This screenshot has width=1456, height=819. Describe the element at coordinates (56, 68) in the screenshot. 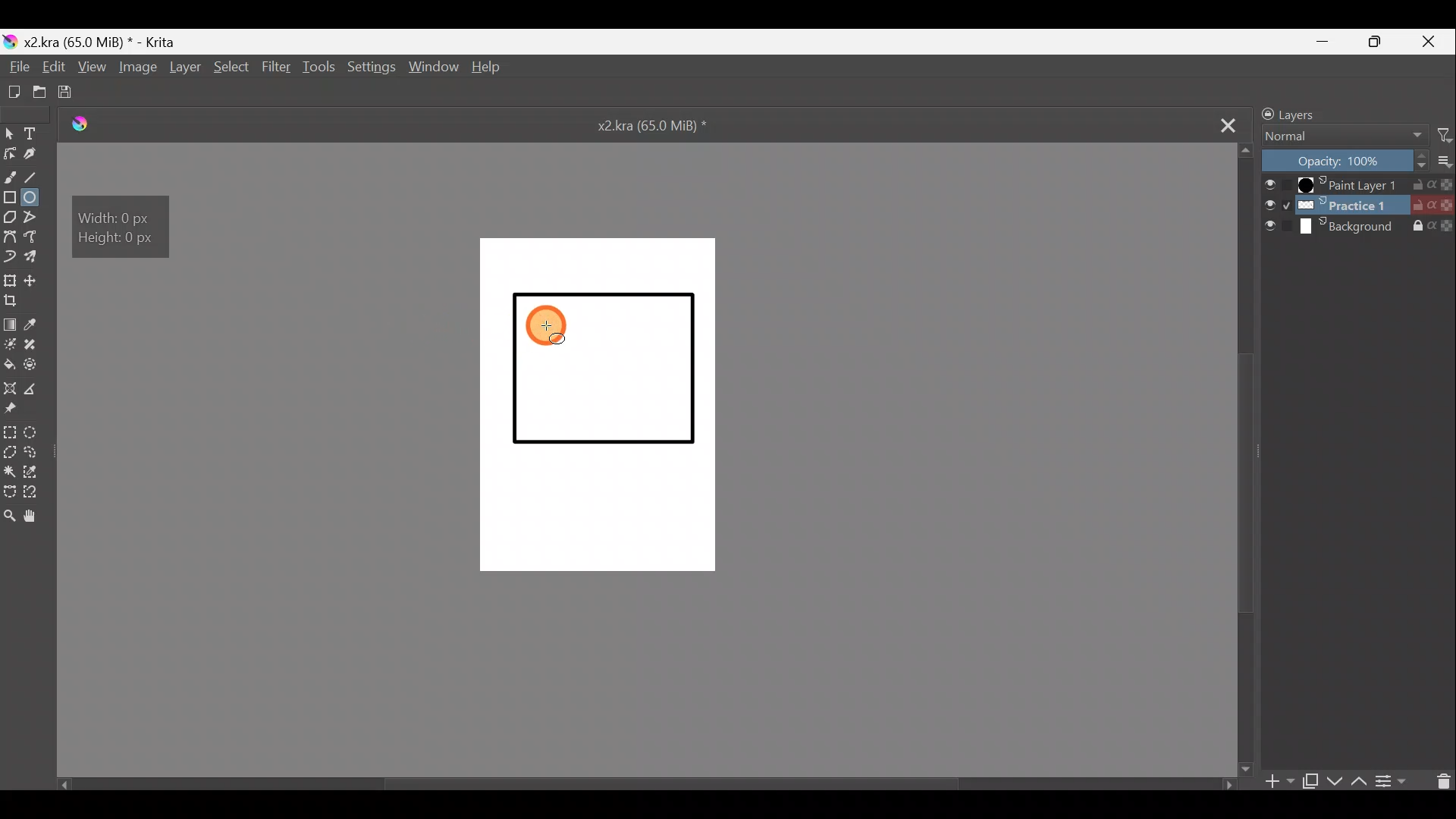

I see `Edit` at that location.